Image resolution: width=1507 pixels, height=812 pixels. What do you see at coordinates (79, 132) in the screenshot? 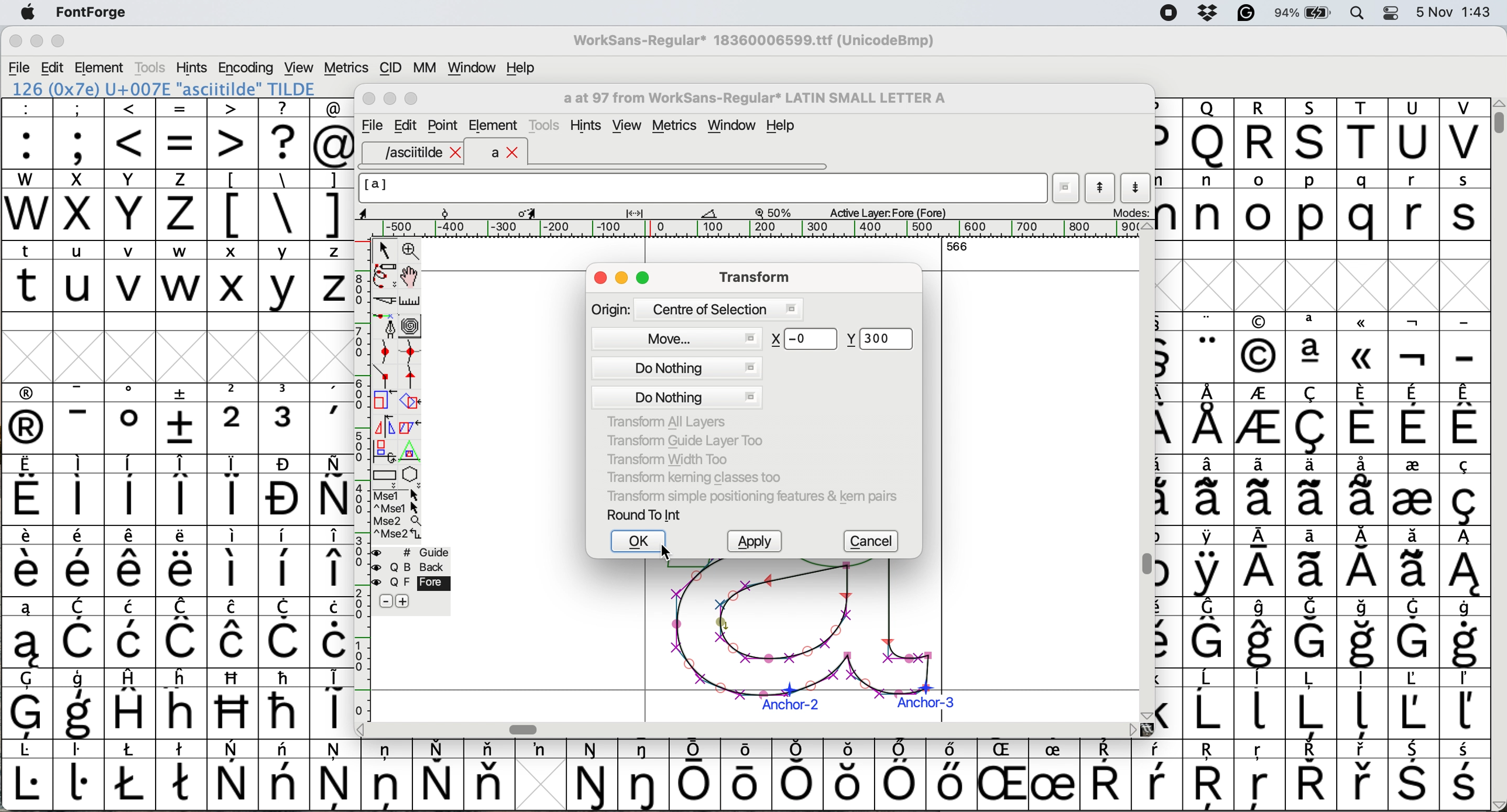
I see `;` at bounding box center [79, 132].